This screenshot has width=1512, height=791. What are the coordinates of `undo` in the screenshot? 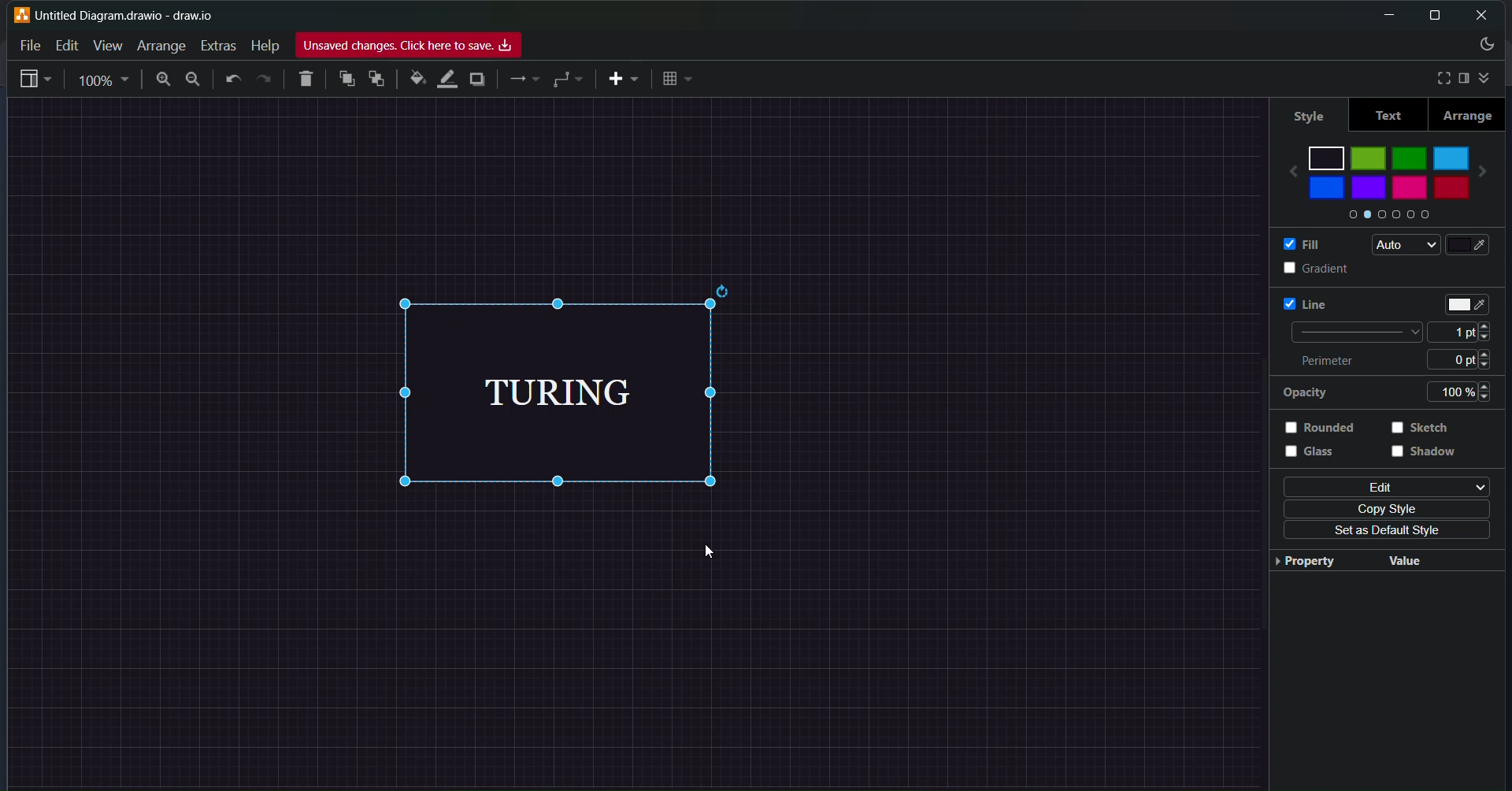 It's located at (235, 80).